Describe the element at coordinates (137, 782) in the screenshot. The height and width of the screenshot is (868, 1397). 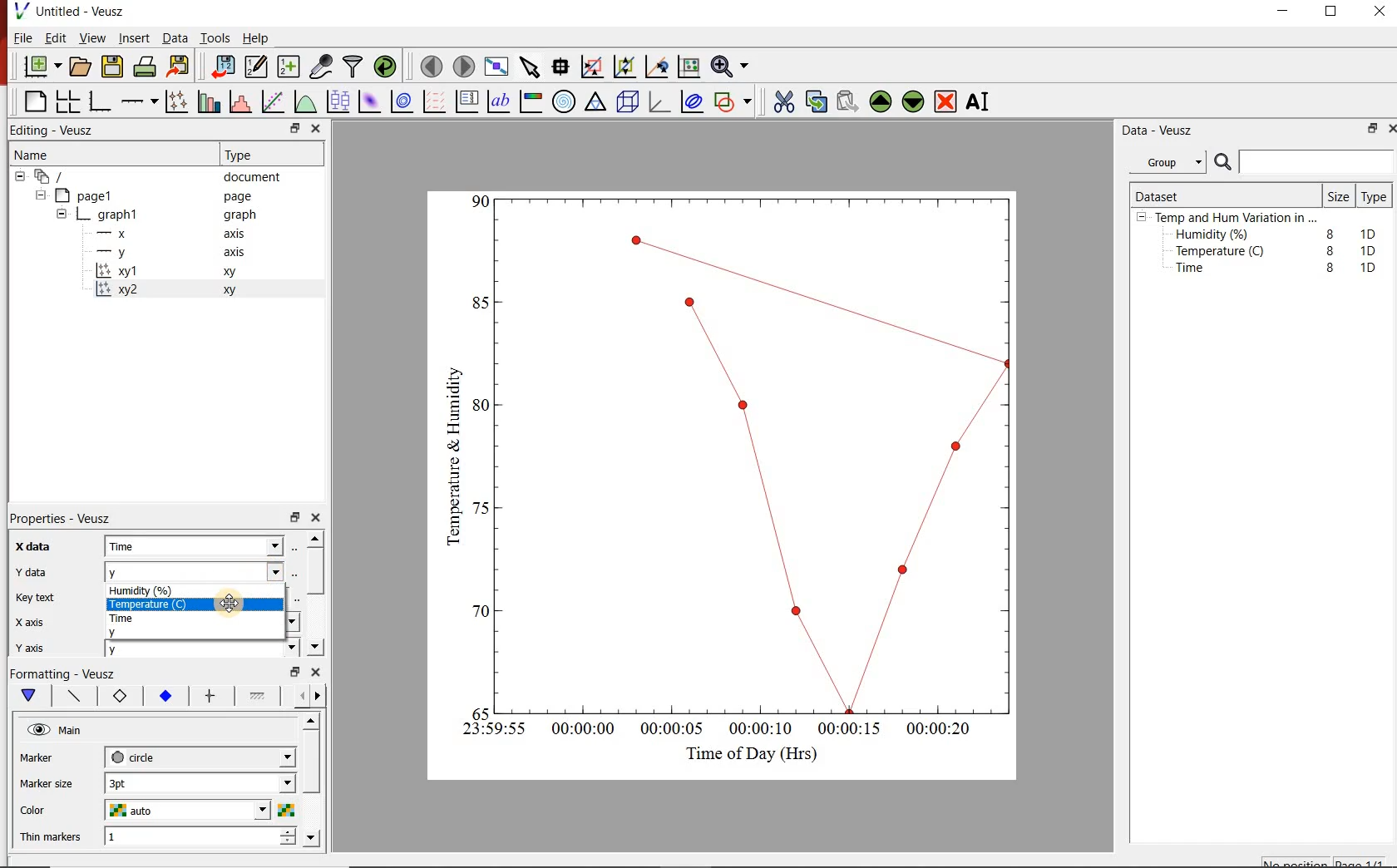
I see `3pt` at that location.